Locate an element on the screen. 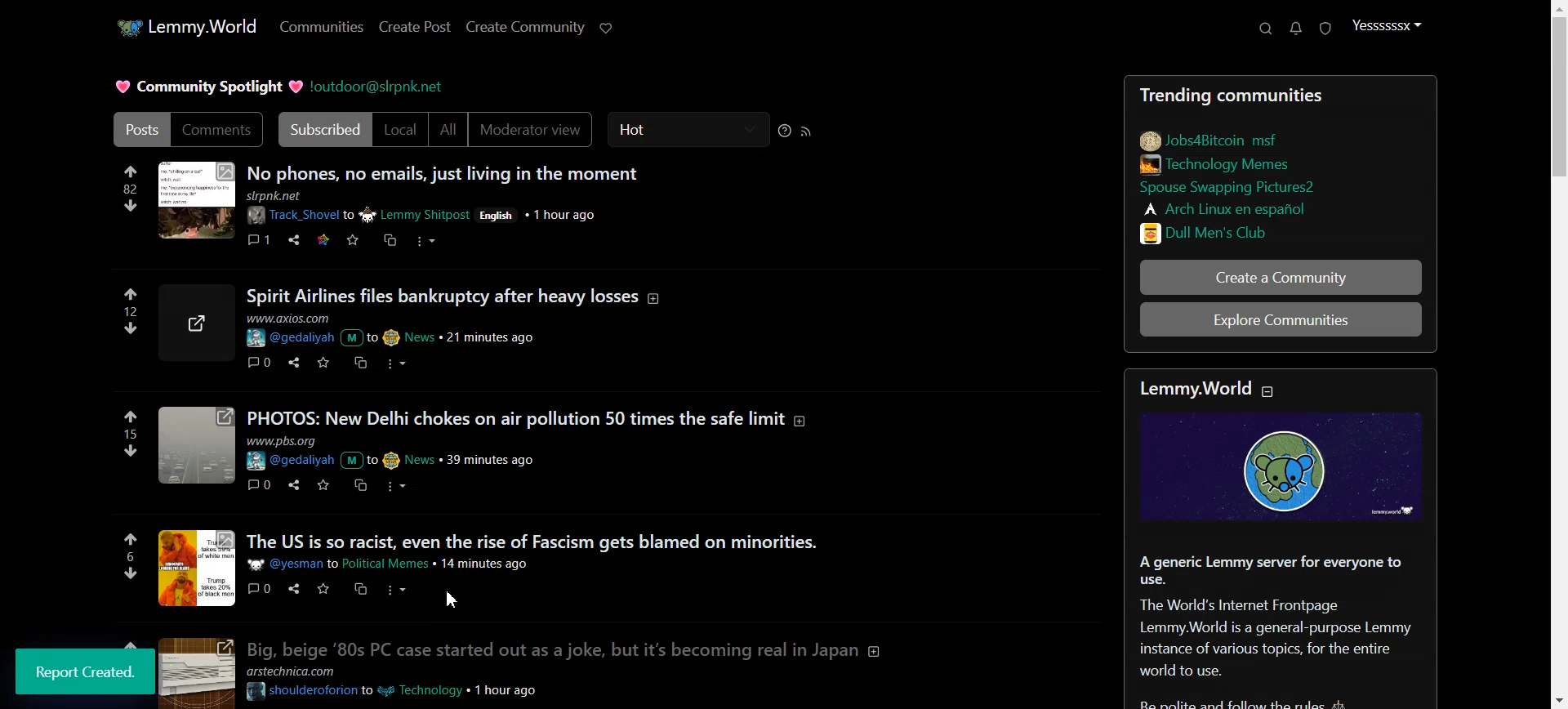  save is located at coordinates (320, 485).